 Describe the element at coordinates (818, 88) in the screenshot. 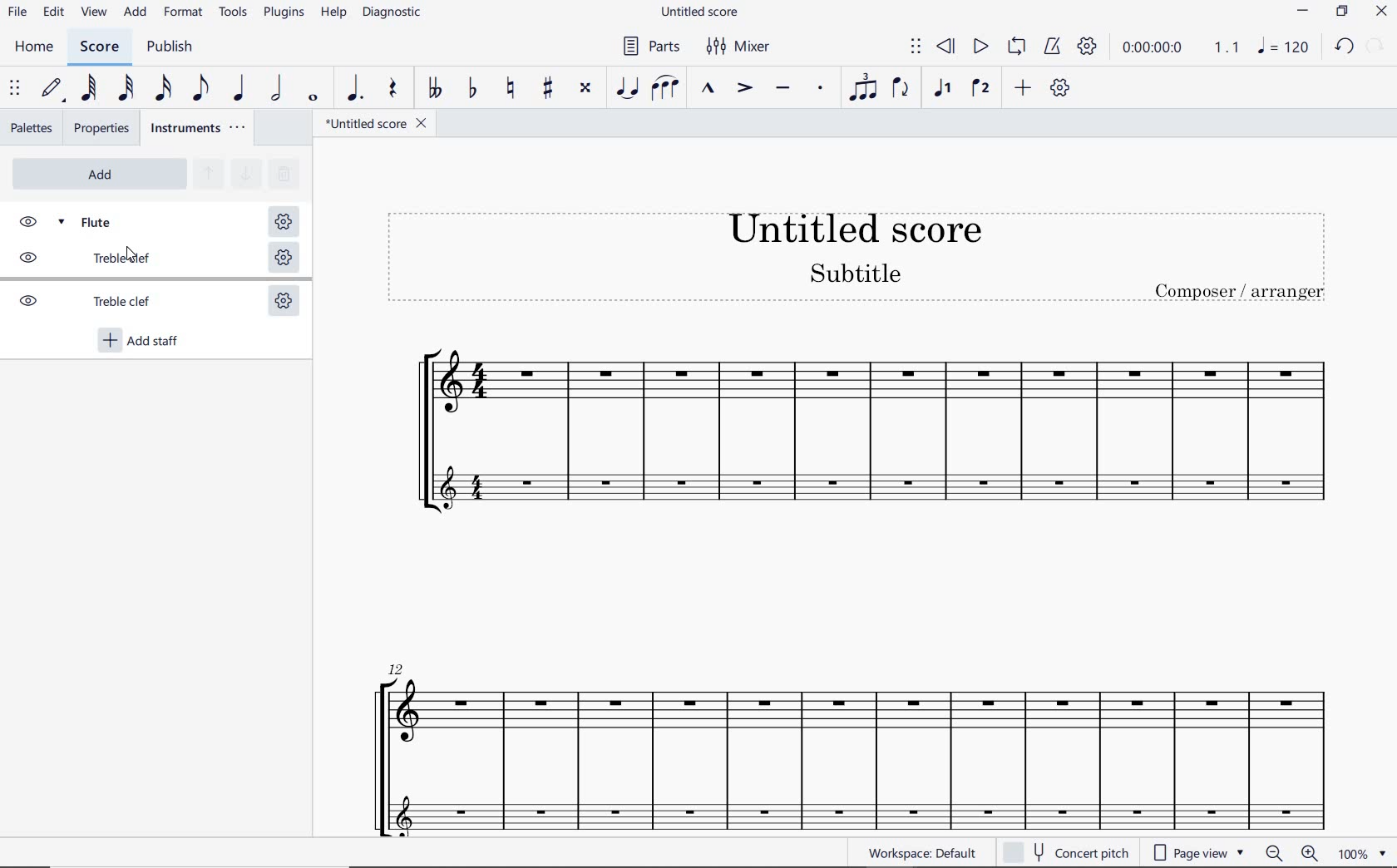

I see `STACCATO` at that location.